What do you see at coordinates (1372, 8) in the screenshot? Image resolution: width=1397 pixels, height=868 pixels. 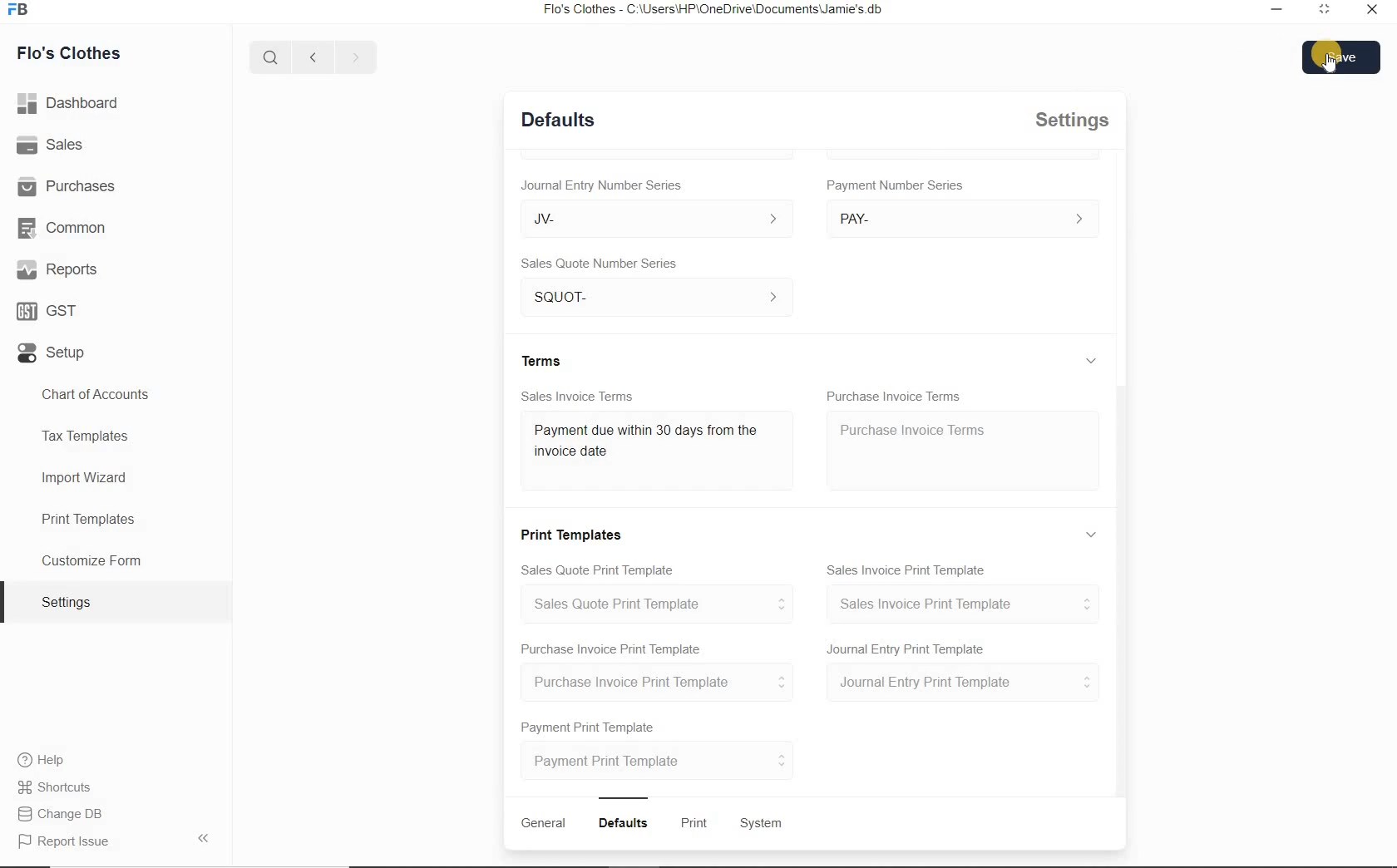 I see `Close` at bounding box center [1372, 8].